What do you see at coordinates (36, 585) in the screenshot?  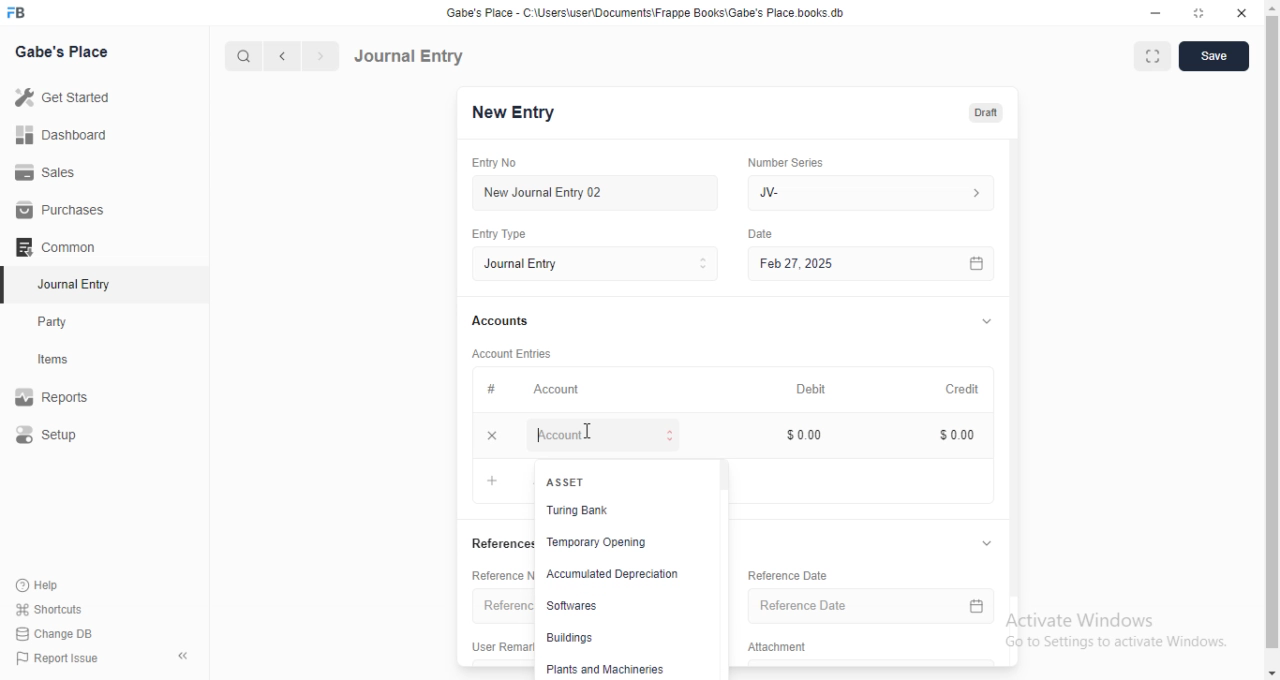 I see `Help` at bounding box center [36, 585].